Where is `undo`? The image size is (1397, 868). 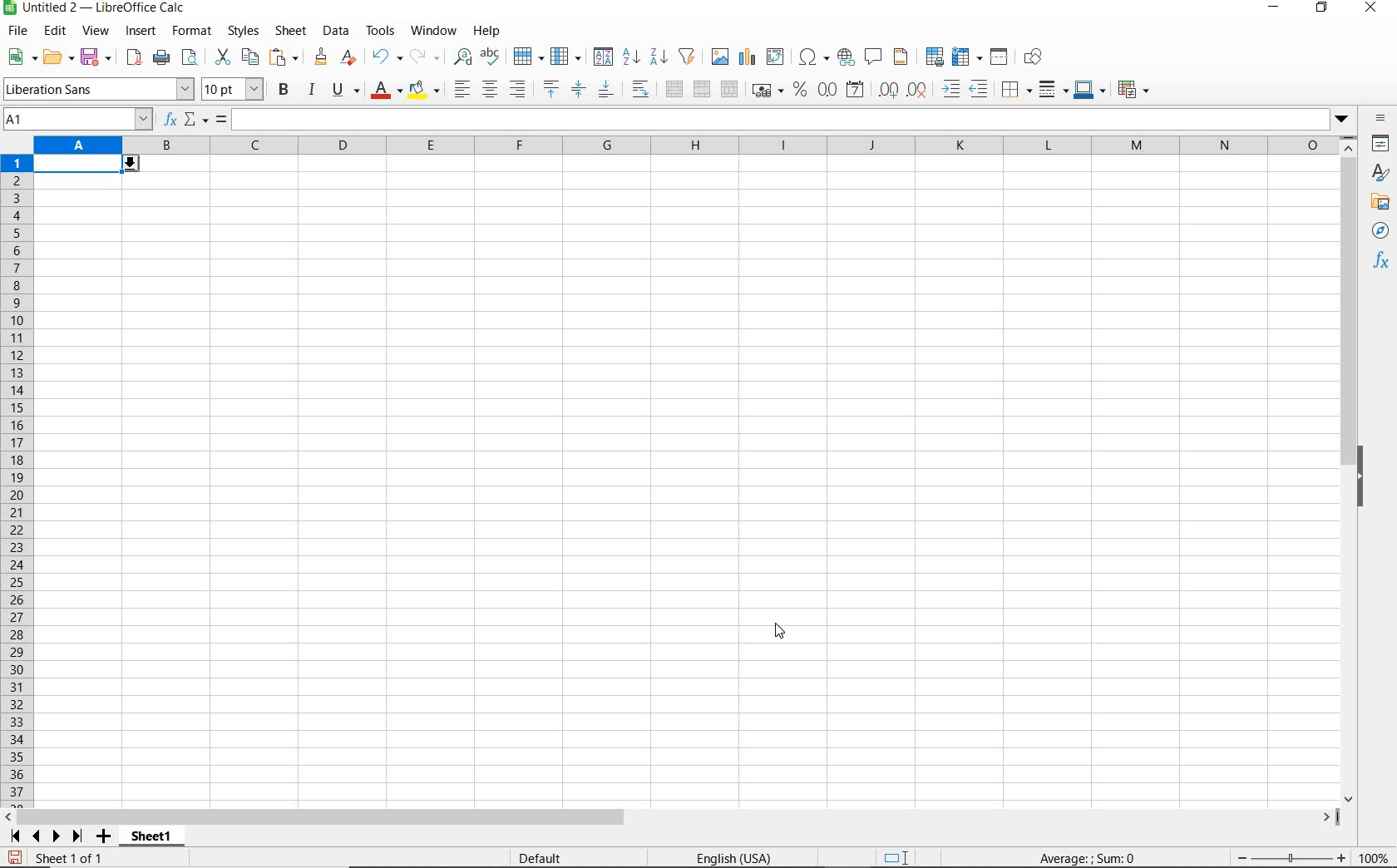
undo is located at coordinates (386, 57).